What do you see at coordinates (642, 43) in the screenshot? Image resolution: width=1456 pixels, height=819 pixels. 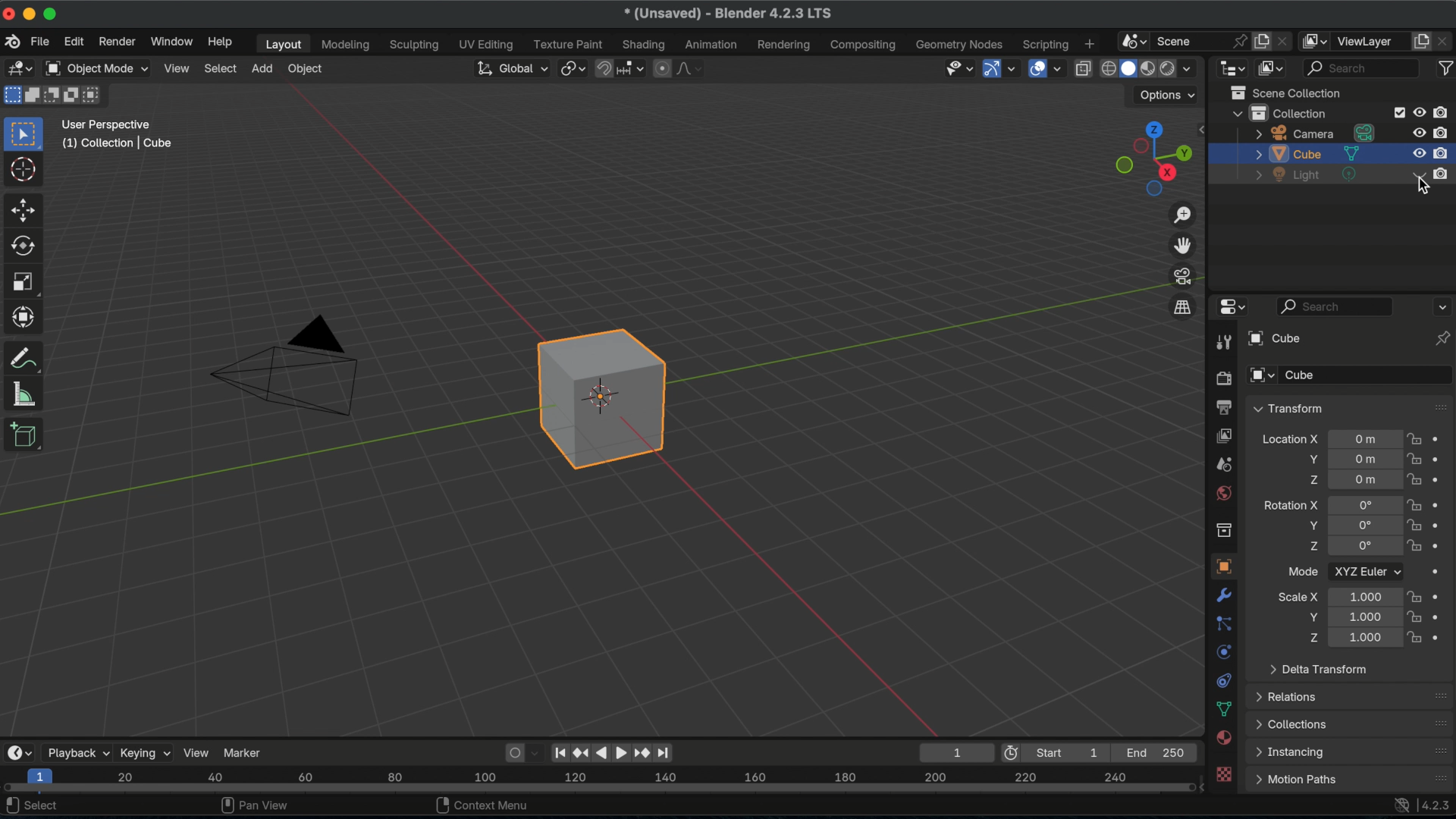 I see `shading` at bounding box center [642, 43].